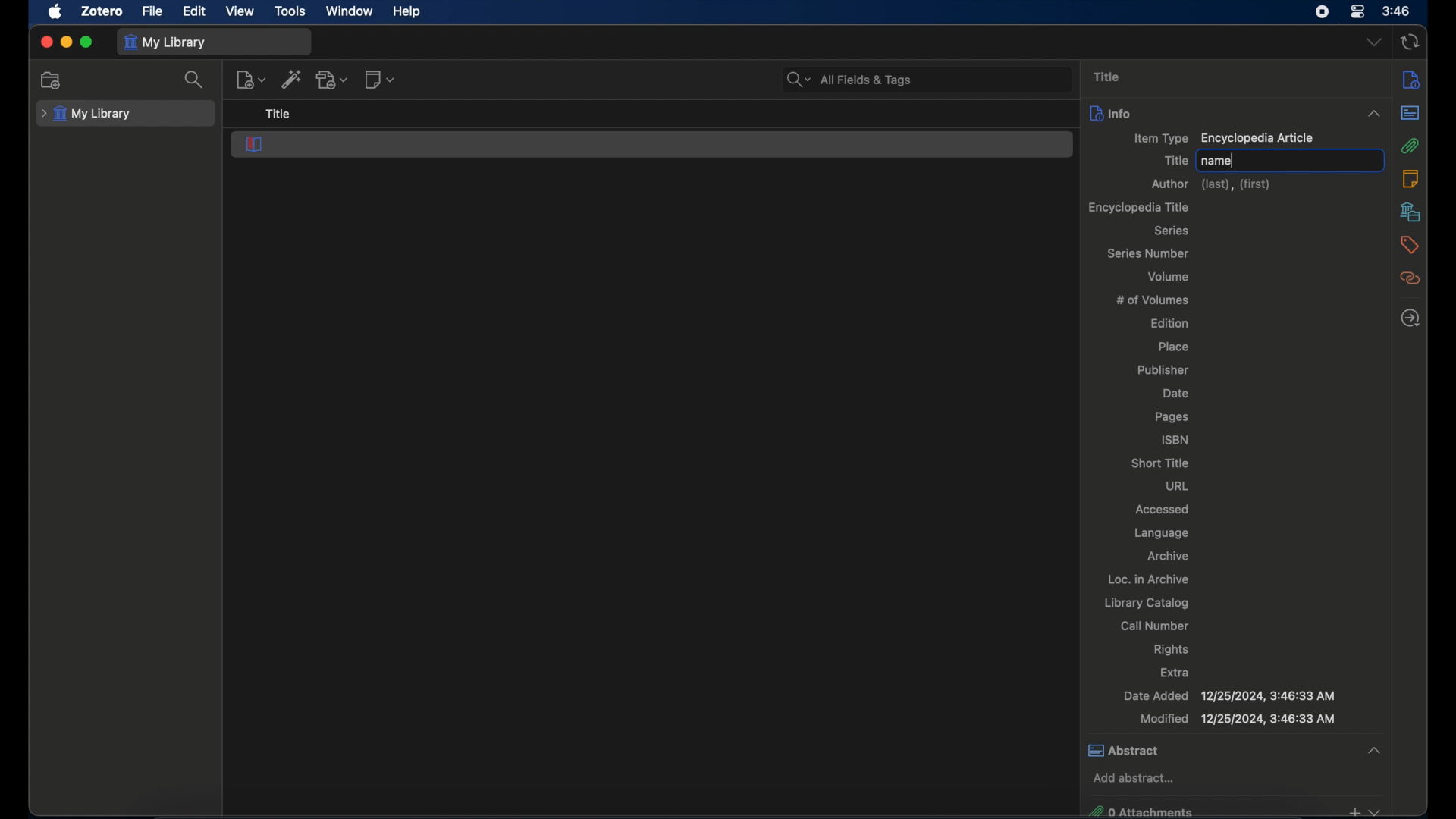 Image resolution: width=1456 pixels, height=819 pixels. I want to click on info dropdown, so click(1374, 115).